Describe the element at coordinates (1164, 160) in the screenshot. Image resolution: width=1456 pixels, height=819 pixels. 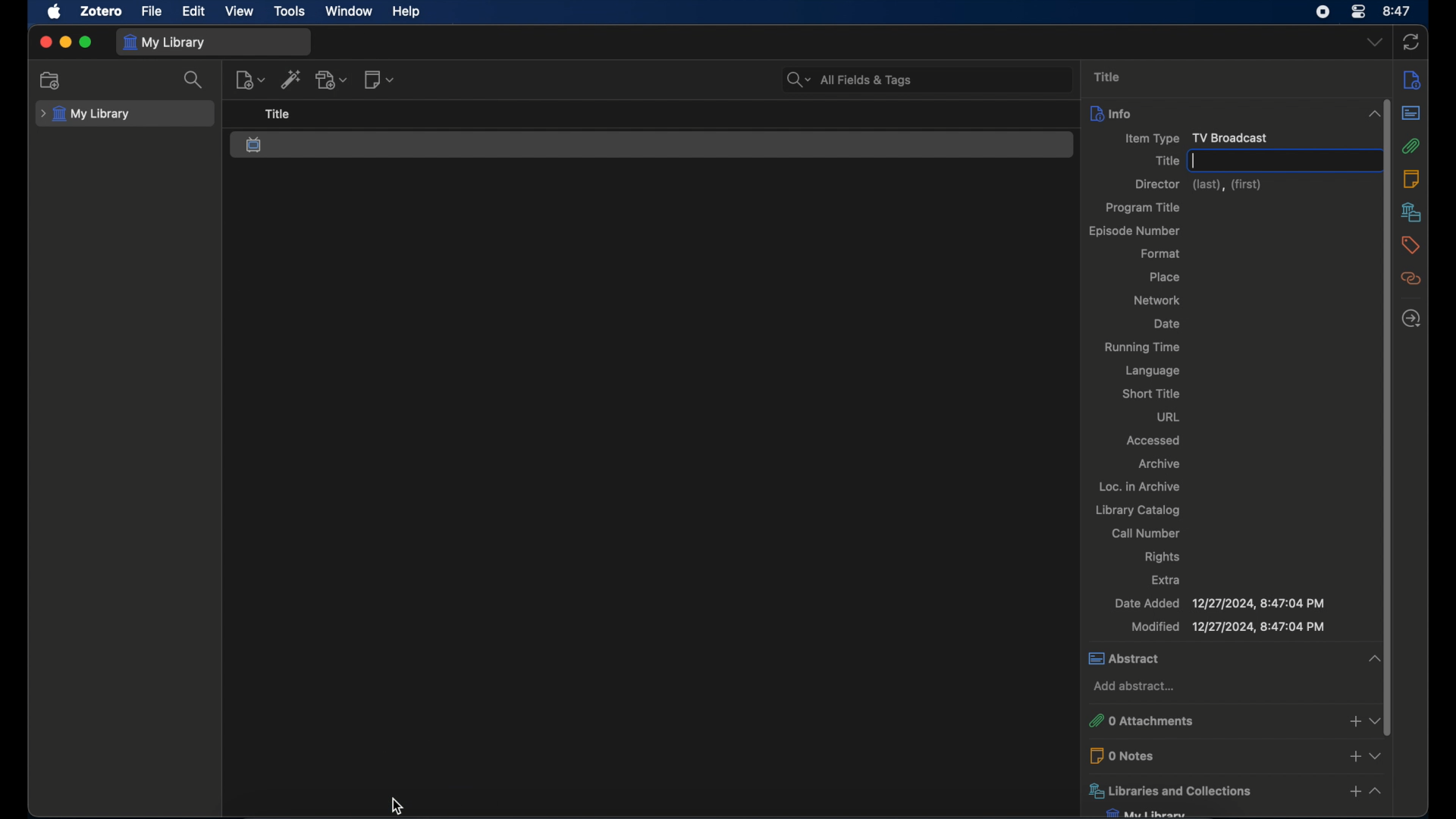
I see `title` at that location.